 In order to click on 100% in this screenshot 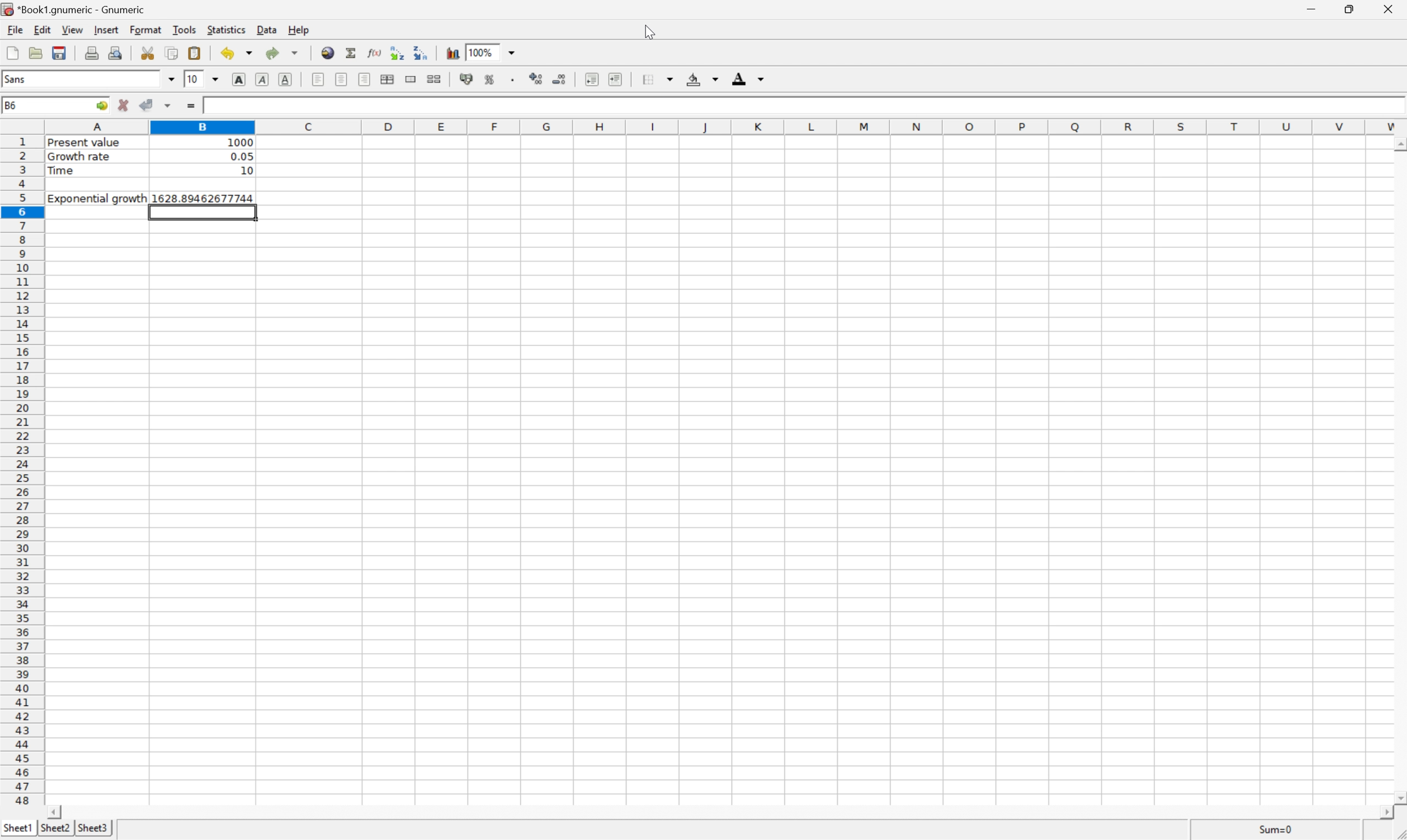, I will do `click(483, 53)`.